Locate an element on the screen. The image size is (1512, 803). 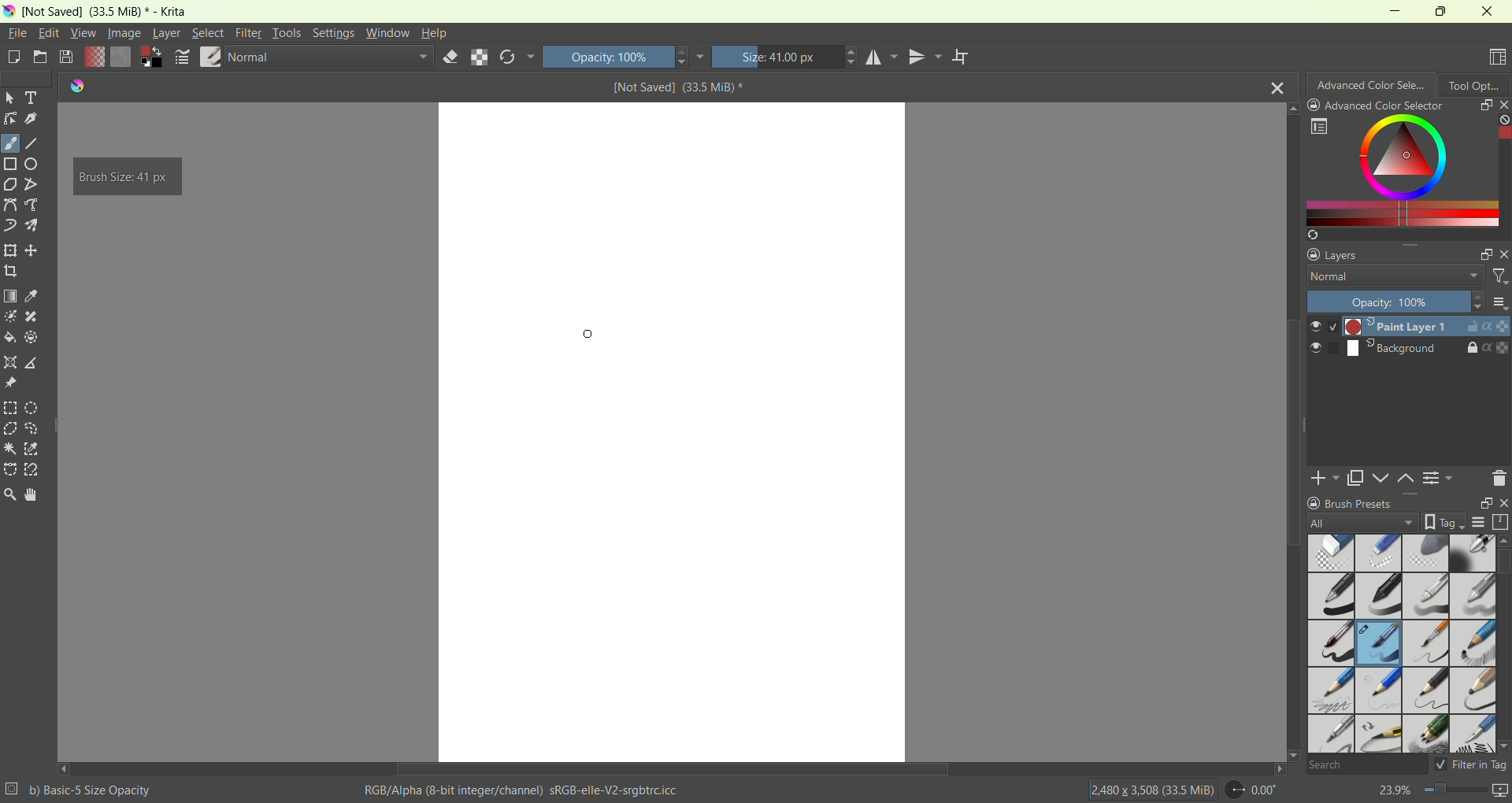
select shapes is located at coordinates (10, 98).